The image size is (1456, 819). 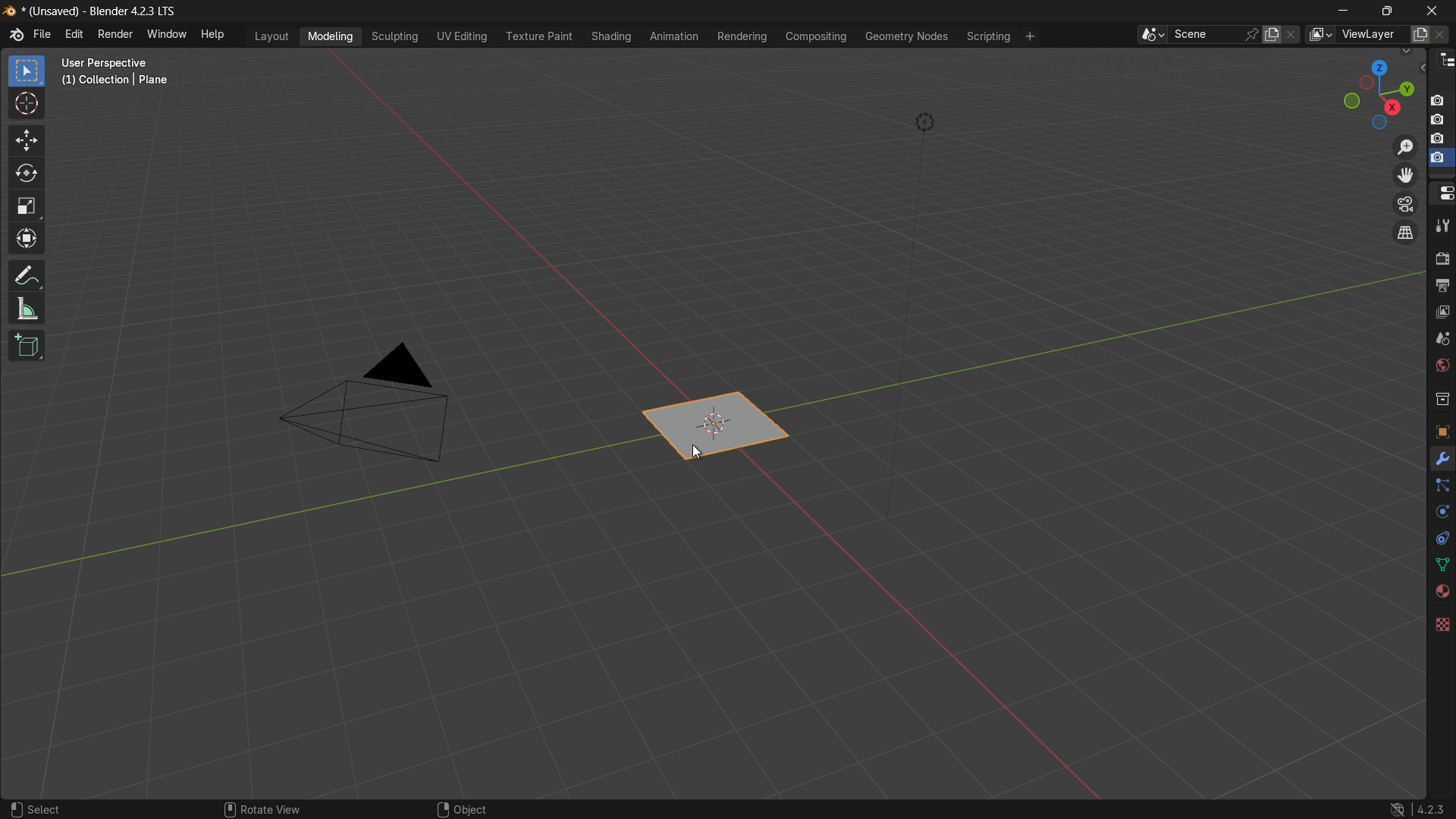 What do you see at coordinates (1439, 338) in the screenshot?
I see `scene` at bounding box center [1439, 338].